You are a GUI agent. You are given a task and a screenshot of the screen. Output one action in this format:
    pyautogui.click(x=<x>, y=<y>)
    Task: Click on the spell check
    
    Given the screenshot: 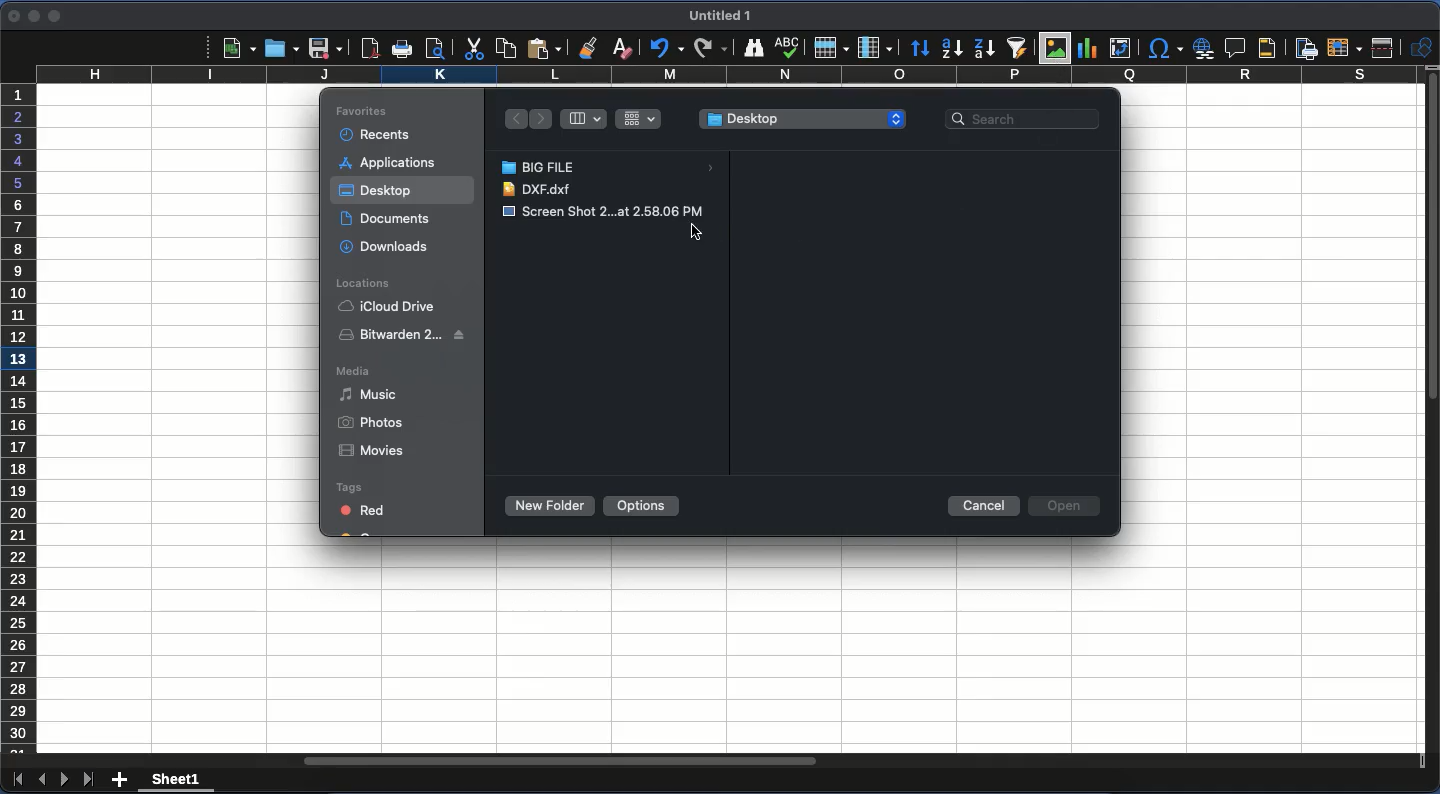 What is the action you would take?
    pyautogui.click(x=790, y=49)
    